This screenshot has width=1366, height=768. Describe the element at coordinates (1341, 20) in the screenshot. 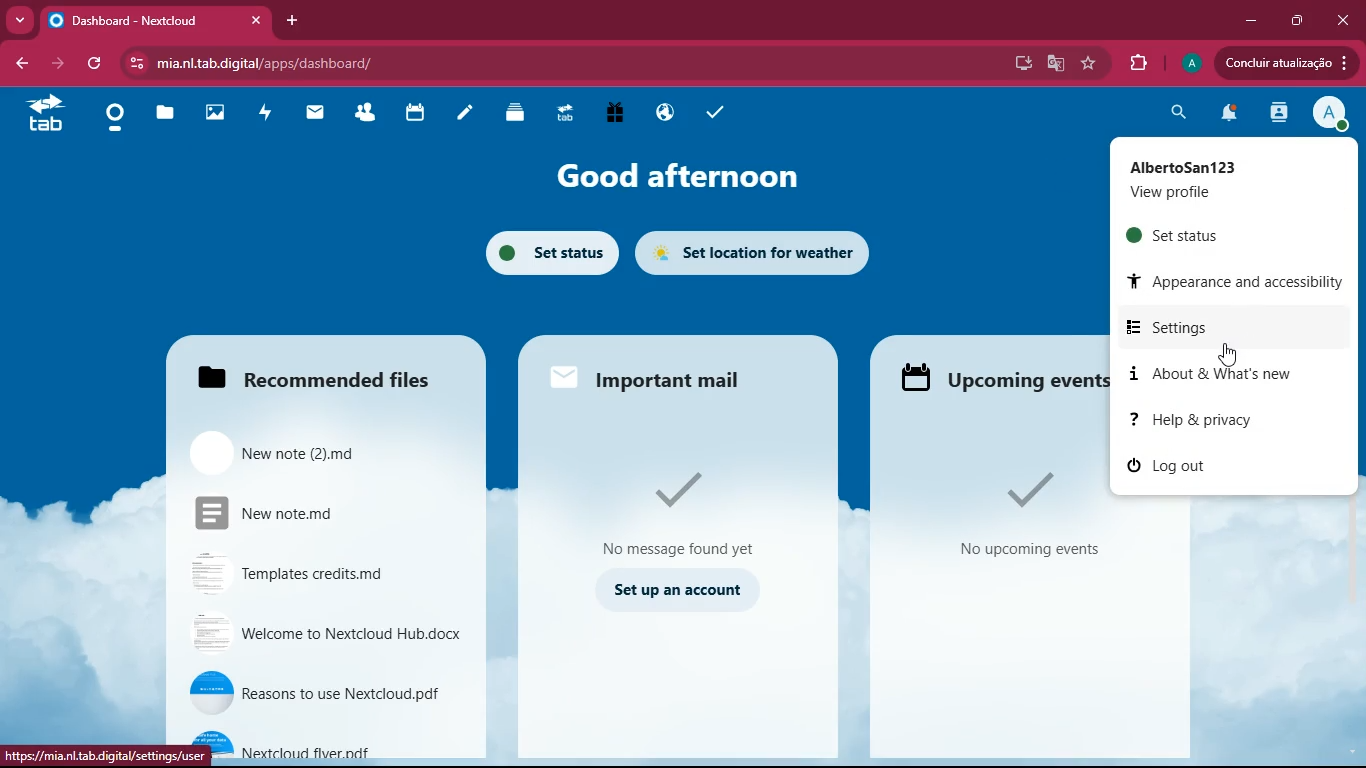

I see `close` at that location.